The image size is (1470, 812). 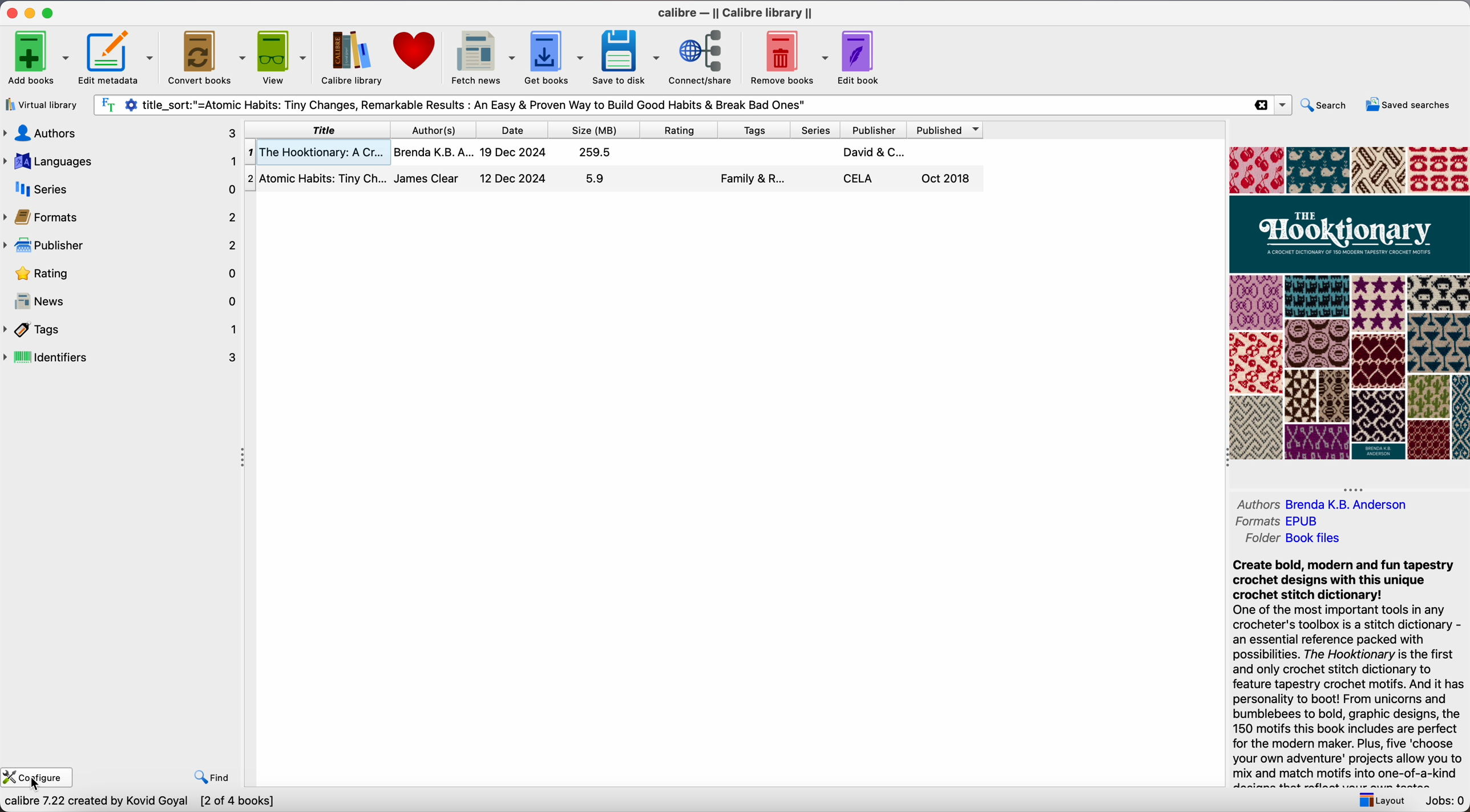 I want to click on edit metadata, so click(x=118, y=58).